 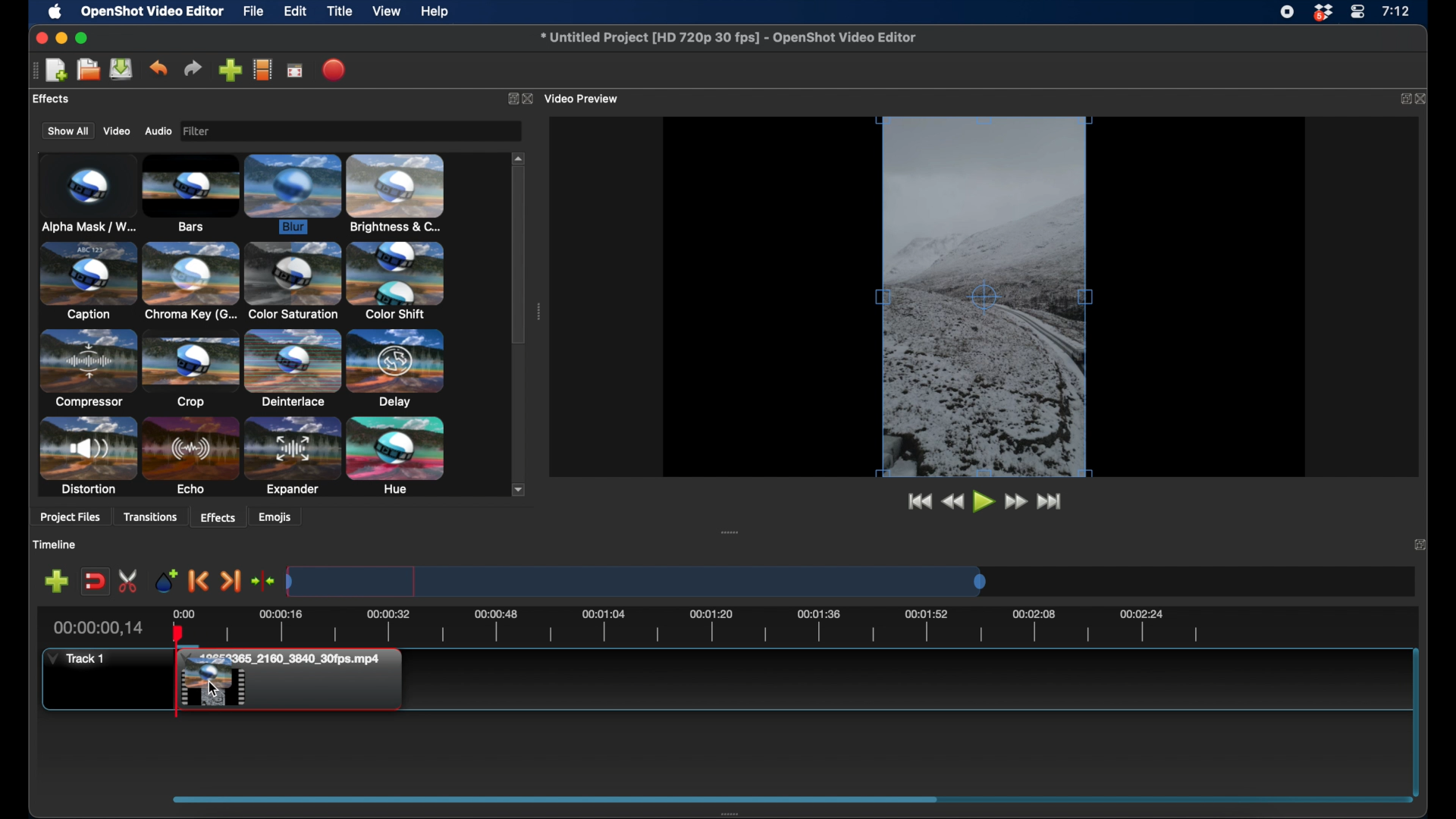 I want to click on drag handle, so click(x=538, y=312).